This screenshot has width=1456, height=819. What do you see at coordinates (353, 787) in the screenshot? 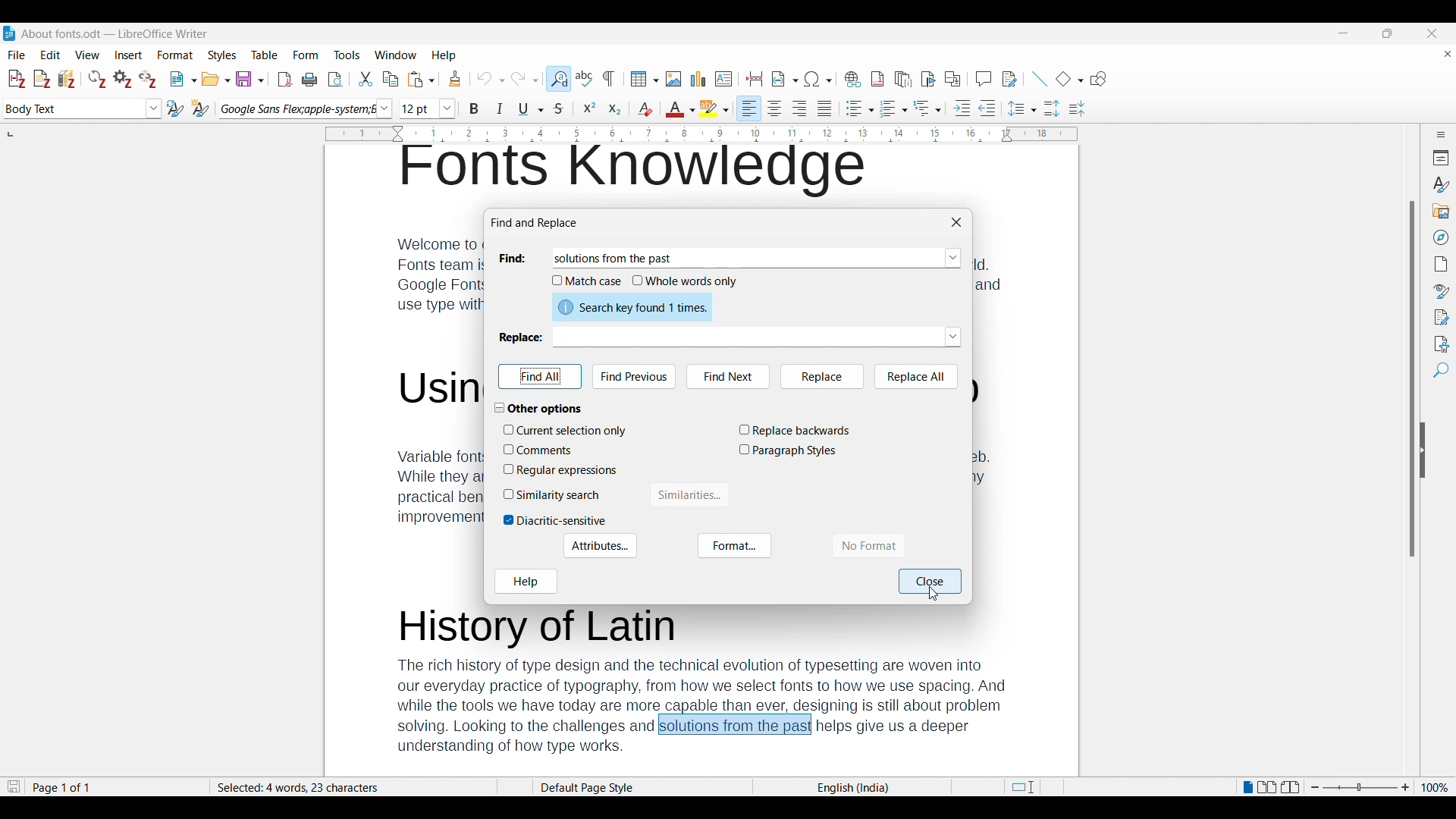
I see `Words and character count of selected text` at bounding box center [353, 787].